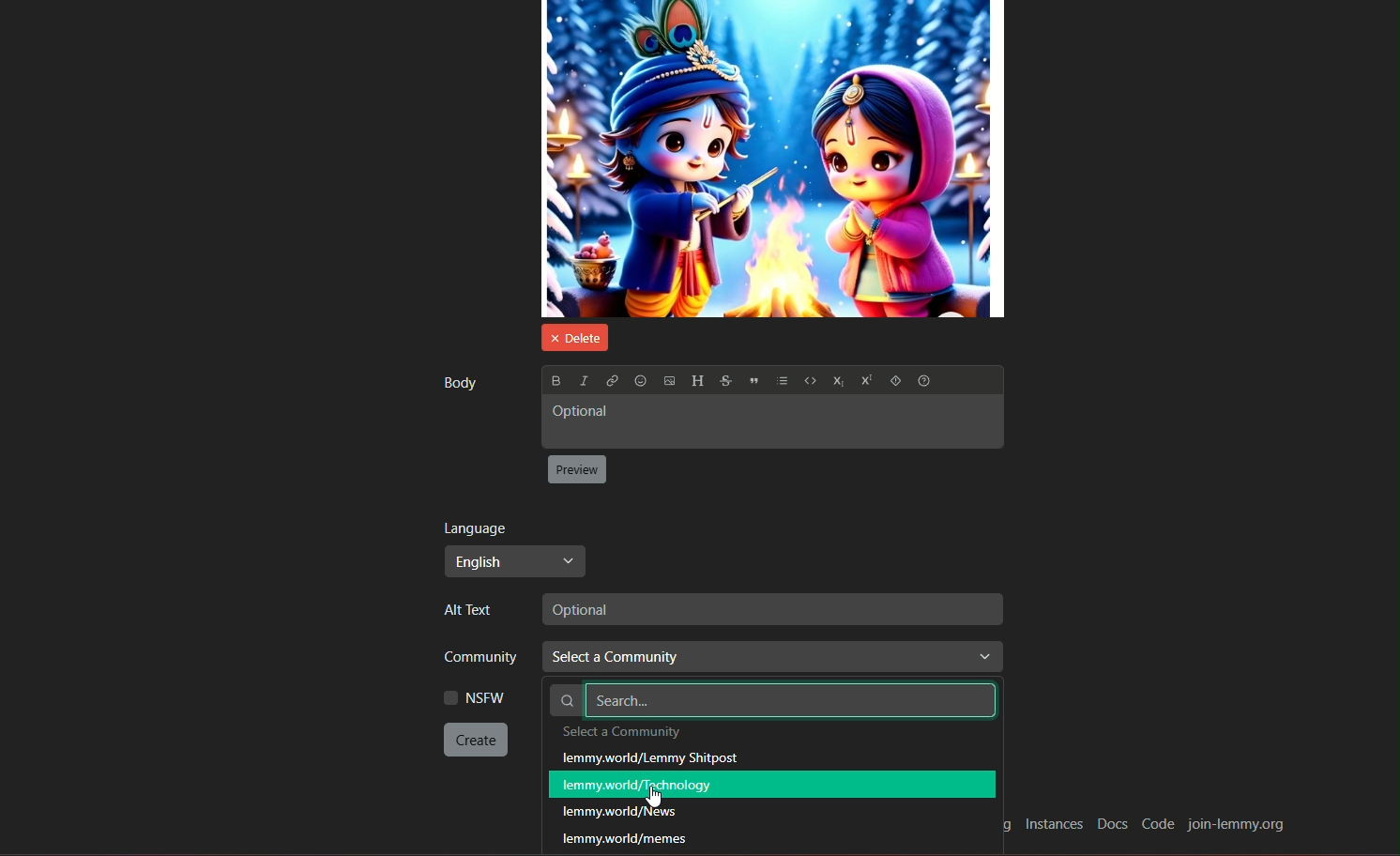  Describe the element at coordinates (770, 421) in the screenshot. I see `Optional` at that location.